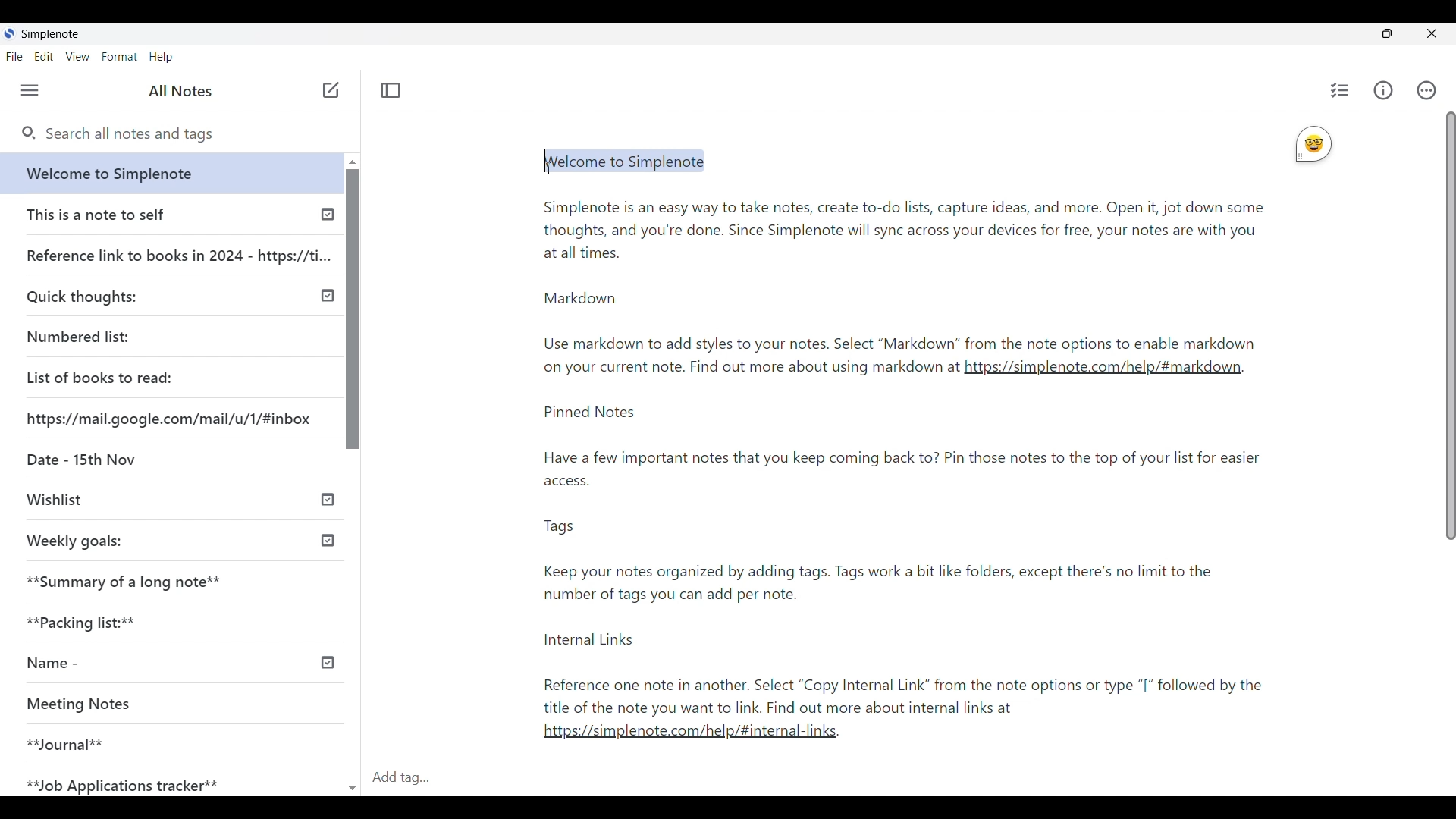 The width and height of the screenshot is (1456, 819). Describe the element at coordinates (391, 90) in the screenshot. I see `Toggle focus mode` at that location.